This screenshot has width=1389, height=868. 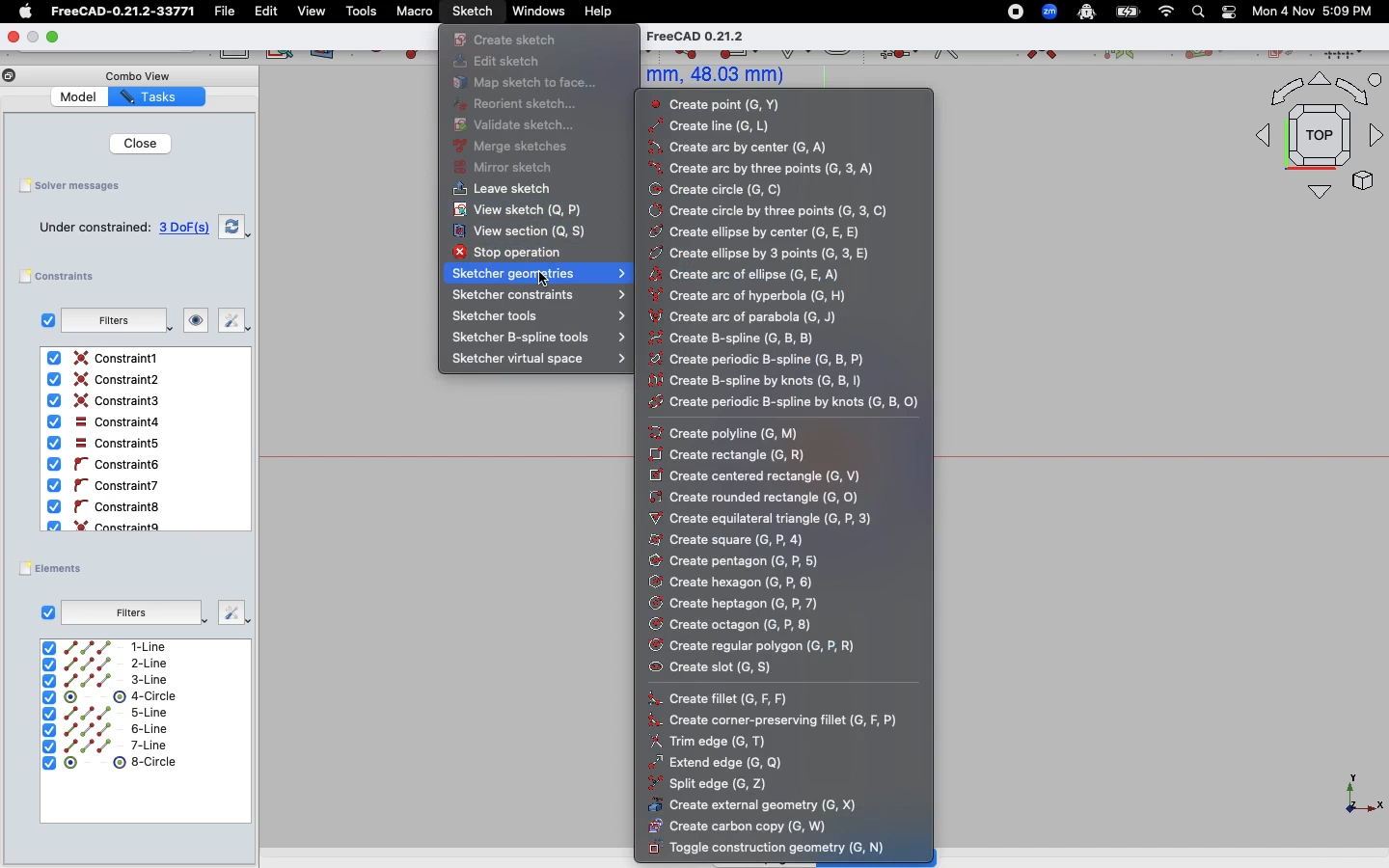 What do you see at coordinates (231, 321) in the screenshot?
I see `Fix` at bounding box center [231, 321].